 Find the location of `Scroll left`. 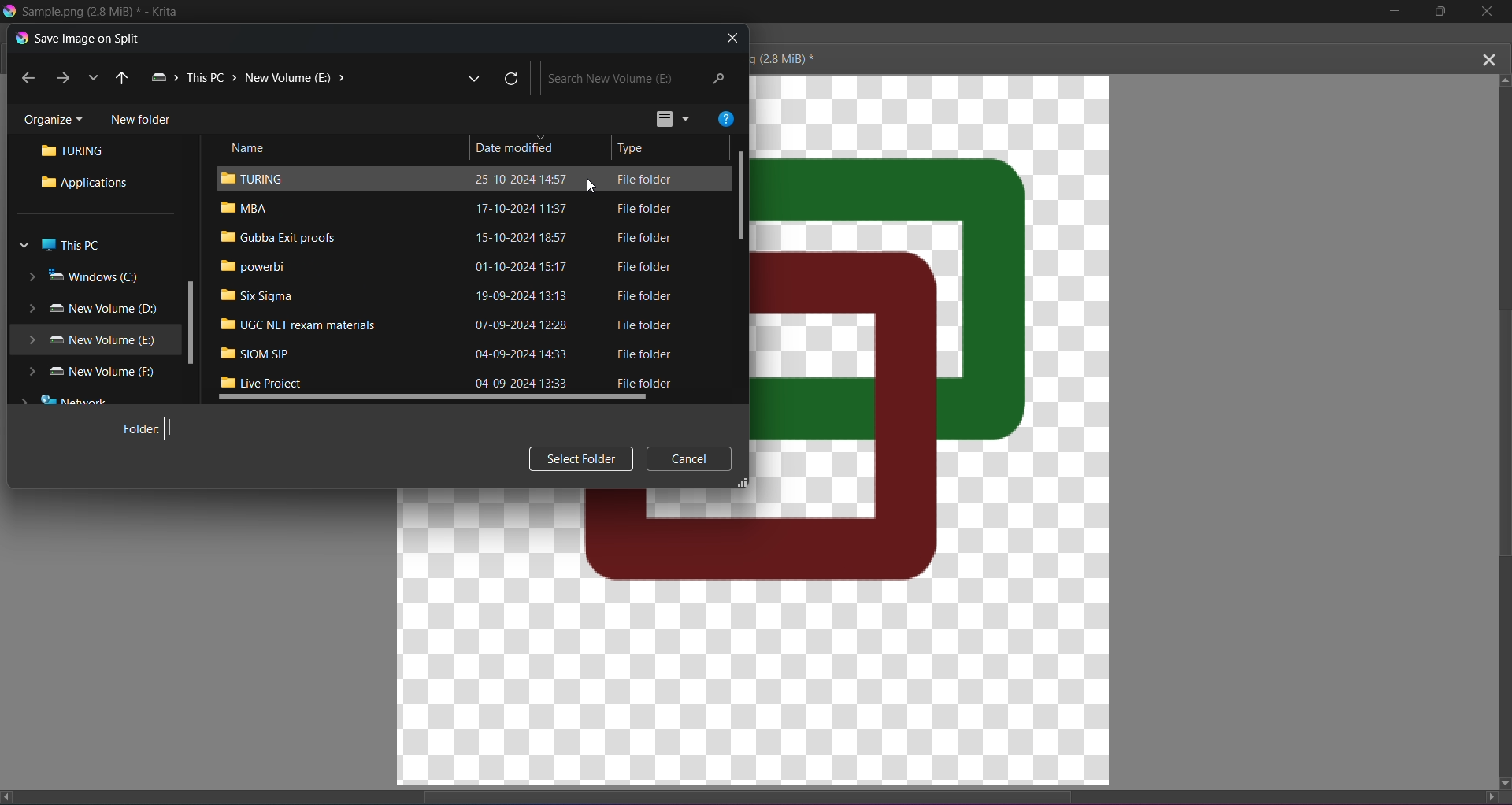

Scroll left is located at coordinates (10, 796).